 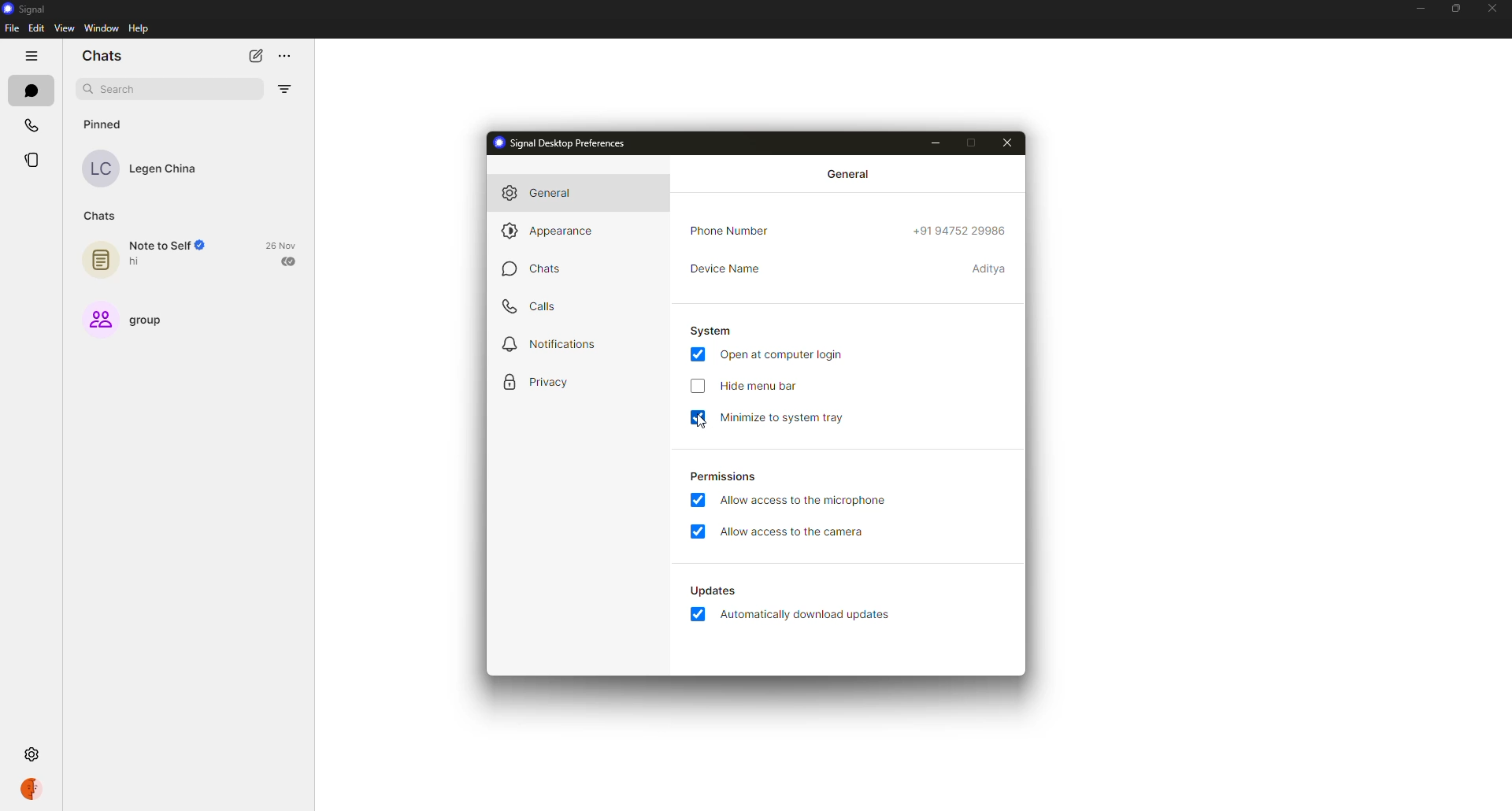 What do you see at coordinates (285, 88) in the screenshot?
I see `filter` at bounding box center [285, 88].